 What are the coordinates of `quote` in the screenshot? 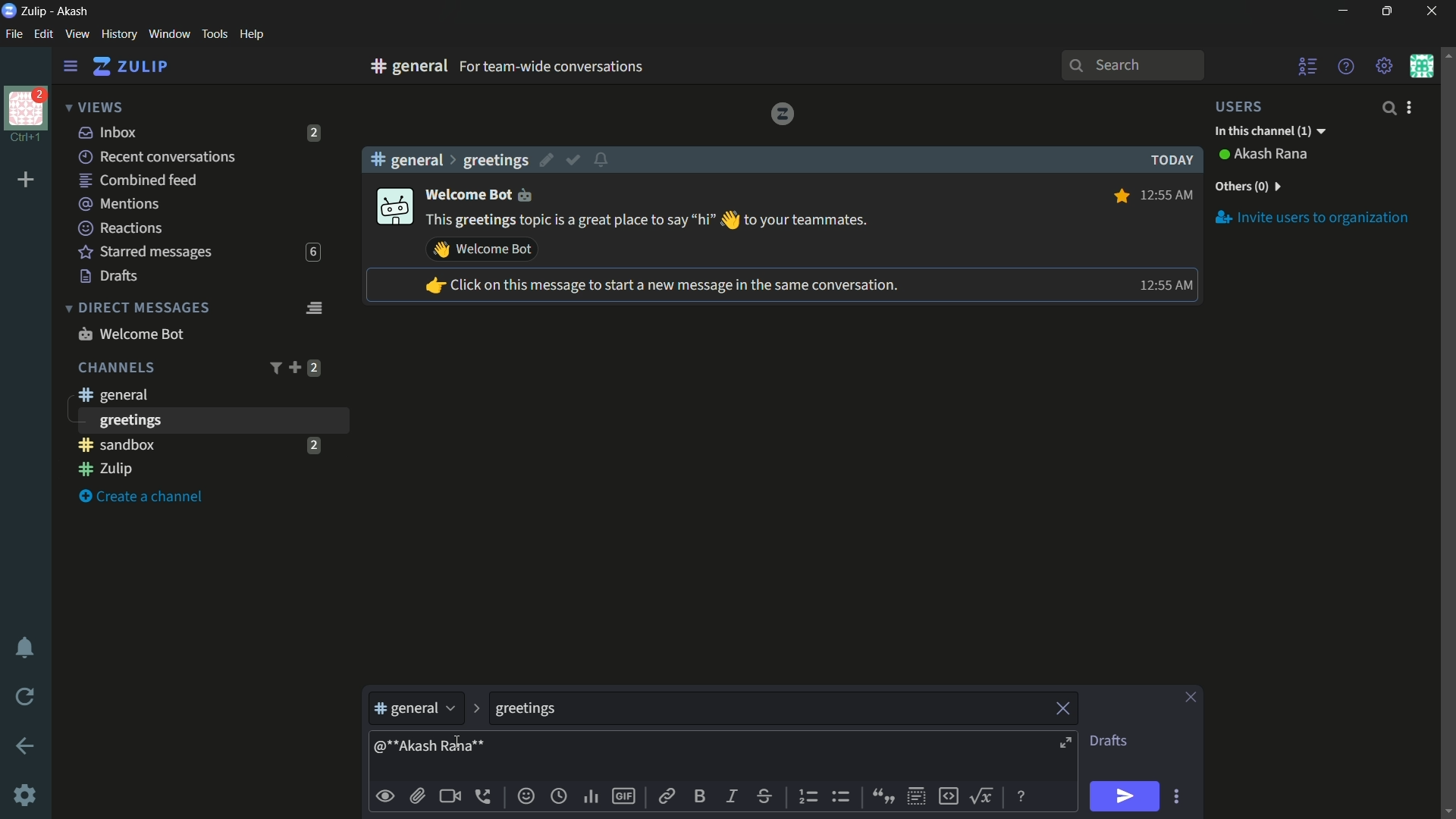 It's located at (881, 795).